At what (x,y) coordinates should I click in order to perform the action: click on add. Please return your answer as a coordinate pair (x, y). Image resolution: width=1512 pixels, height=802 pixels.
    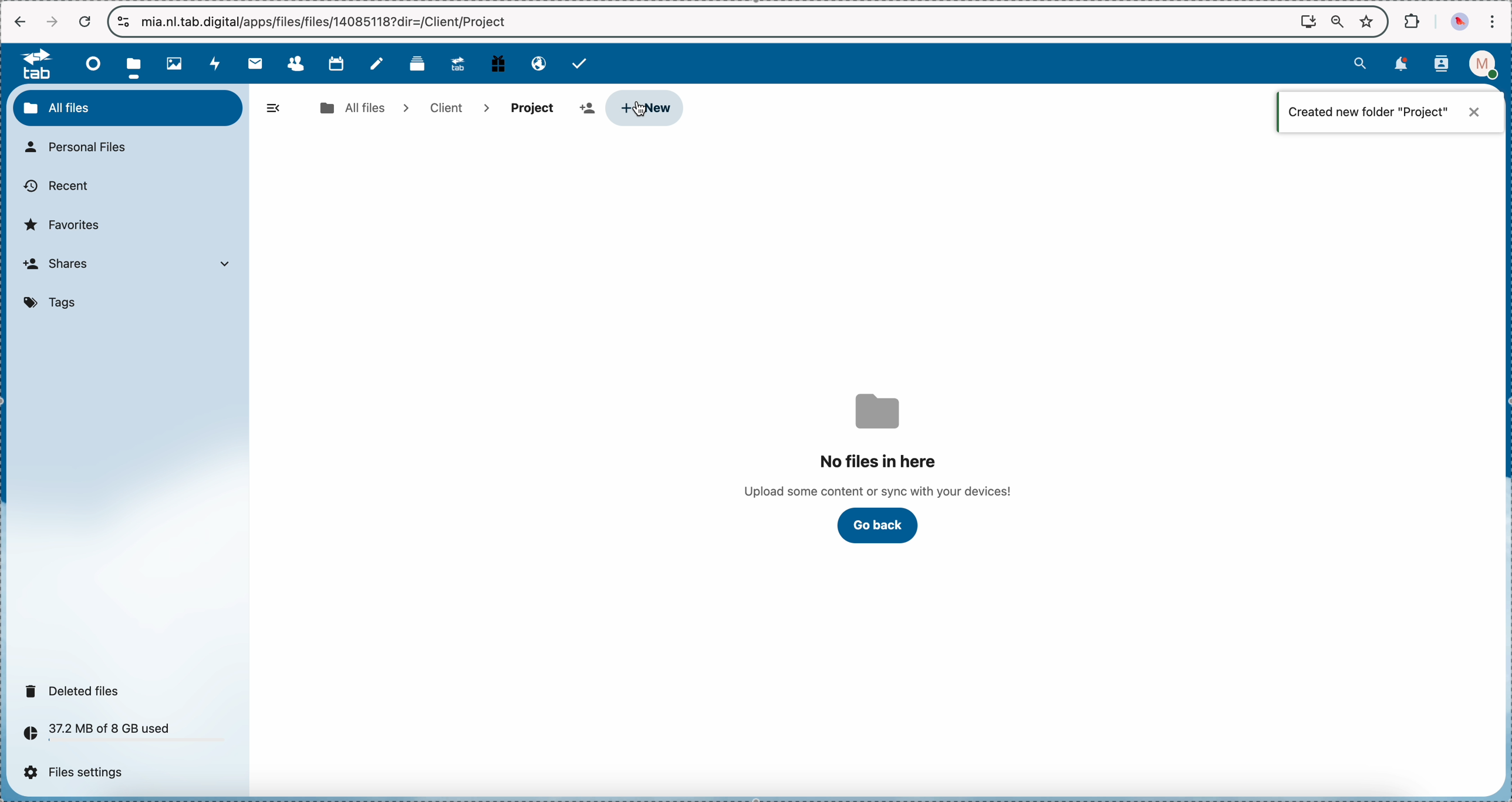
    Looking at the image, I should click on (584, 110).